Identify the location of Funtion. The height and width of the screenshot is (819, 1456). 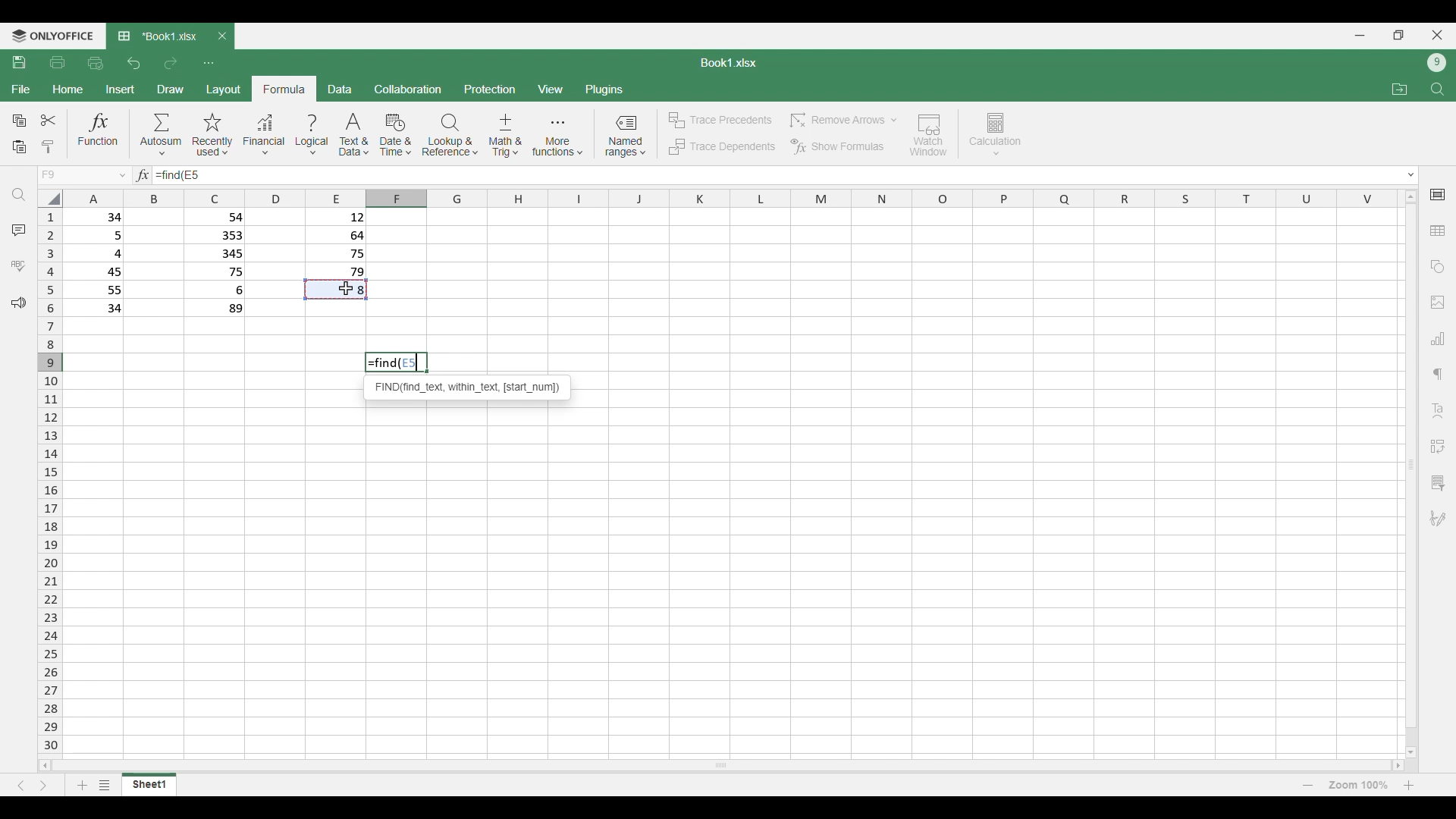
(99, 133).